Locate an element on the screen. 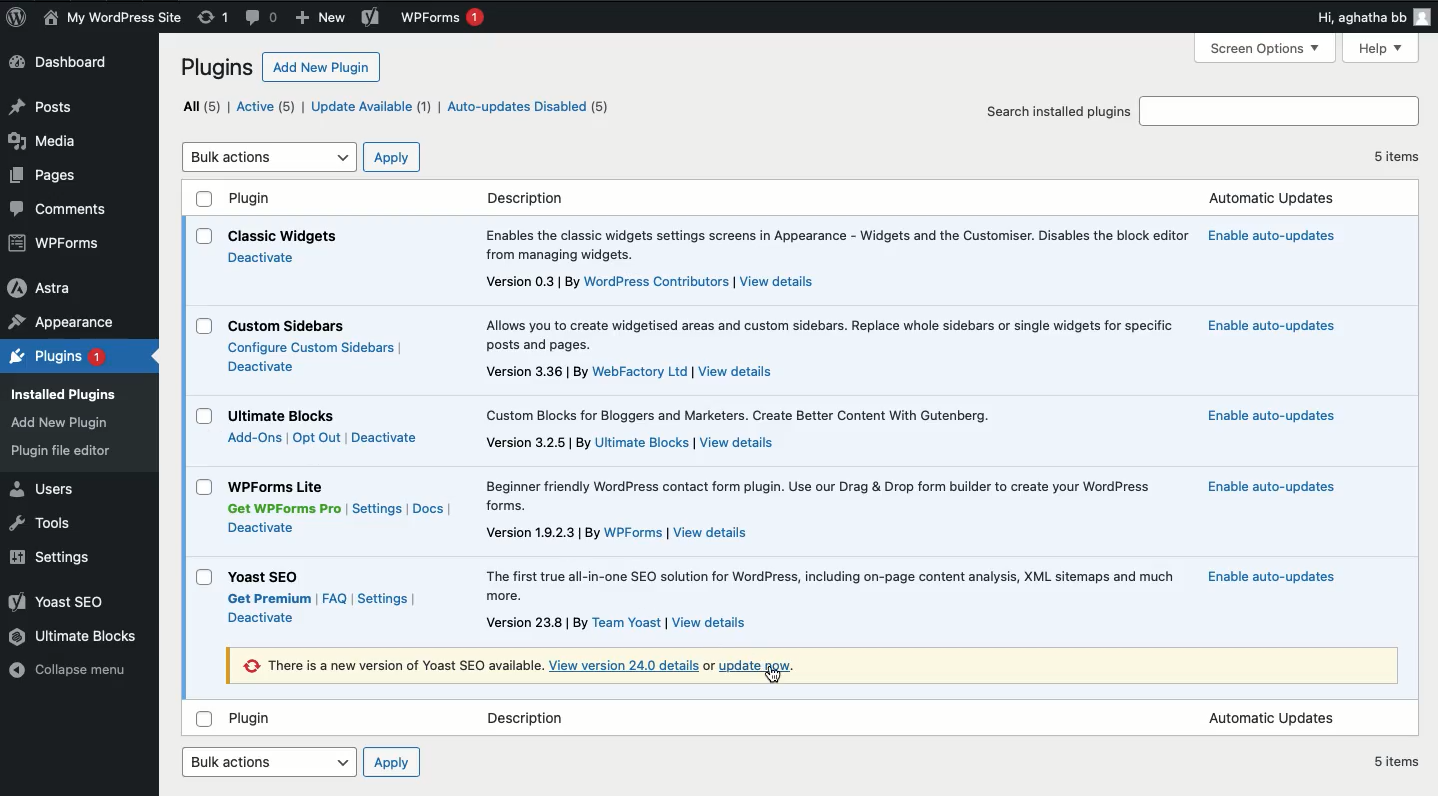 Image resolution: width=1438 pixels, height=796 pixels. Enable auto updates is located at coordinates (1275, 487).